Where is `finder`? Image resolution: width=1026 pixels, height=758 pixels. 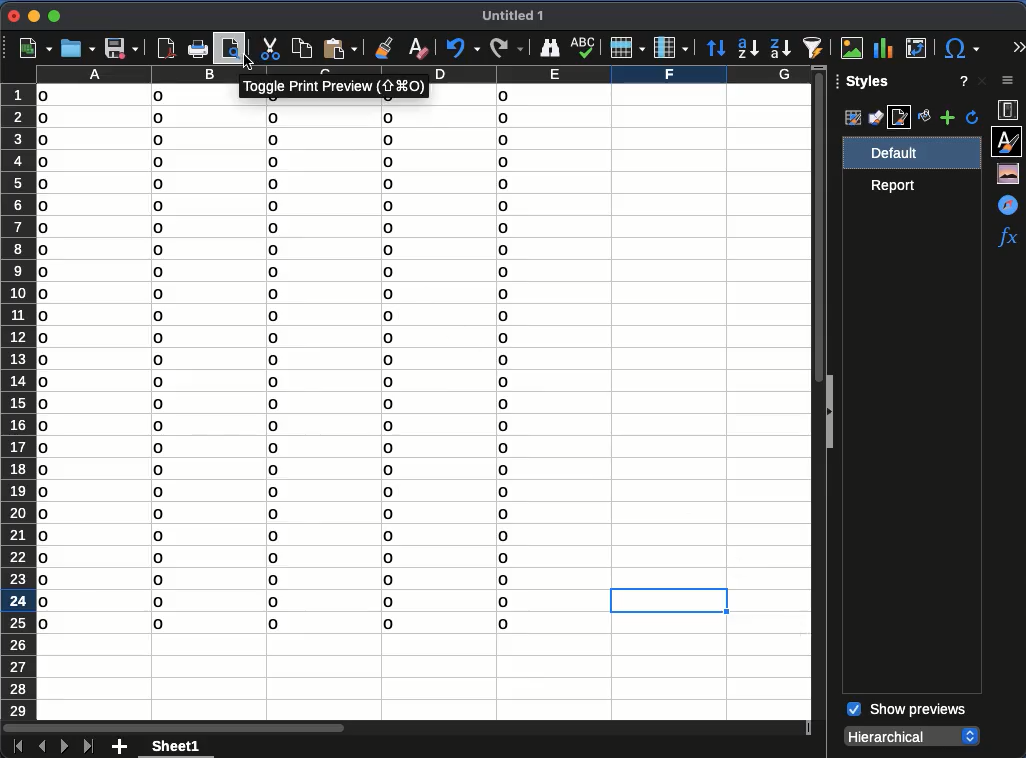
finder is located at coordinates (550, 47).